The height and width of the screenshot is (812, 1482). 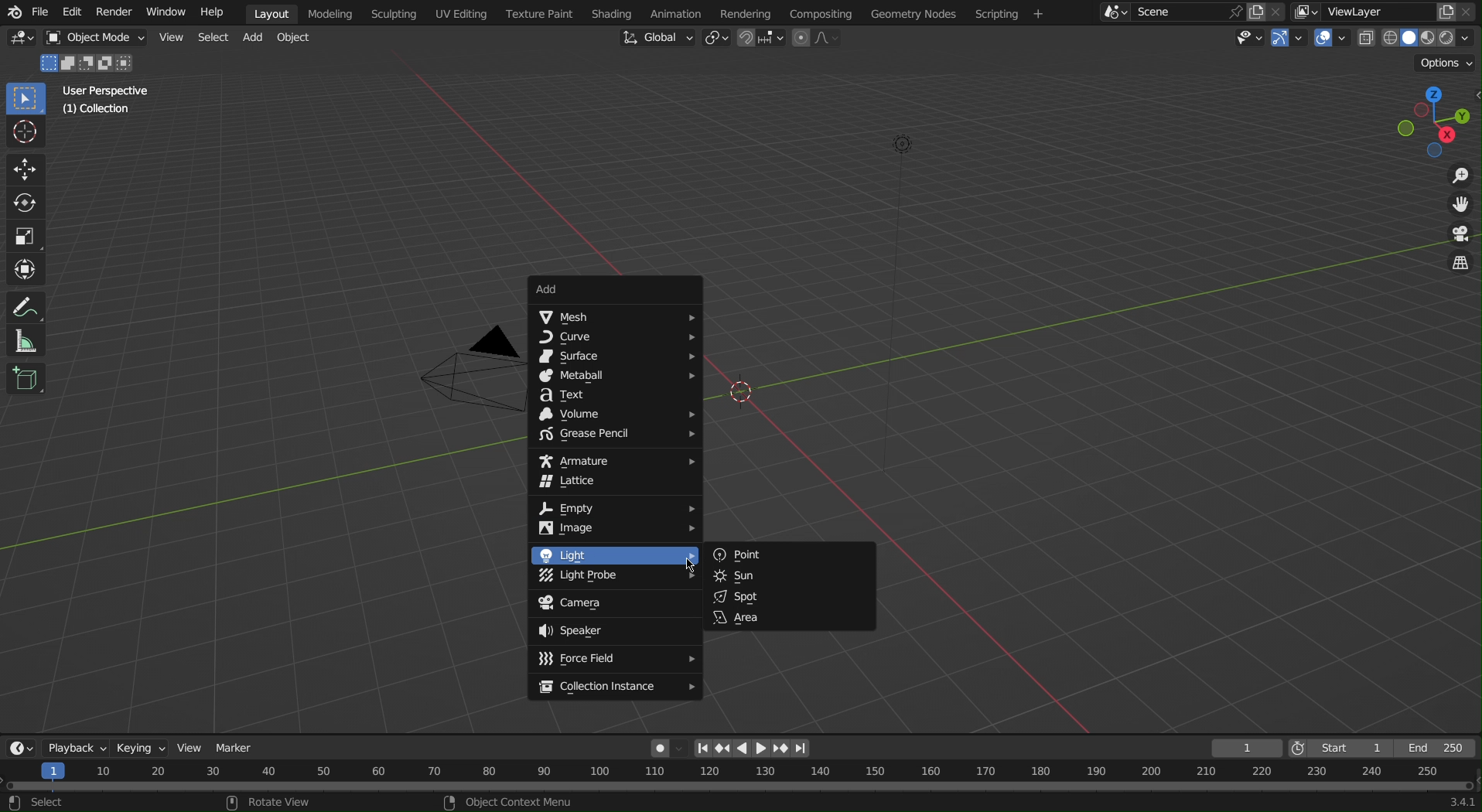 What do you see at coordinates (782, 749) in the screenshot?
I see `forward` at bounding box center [782, 749].